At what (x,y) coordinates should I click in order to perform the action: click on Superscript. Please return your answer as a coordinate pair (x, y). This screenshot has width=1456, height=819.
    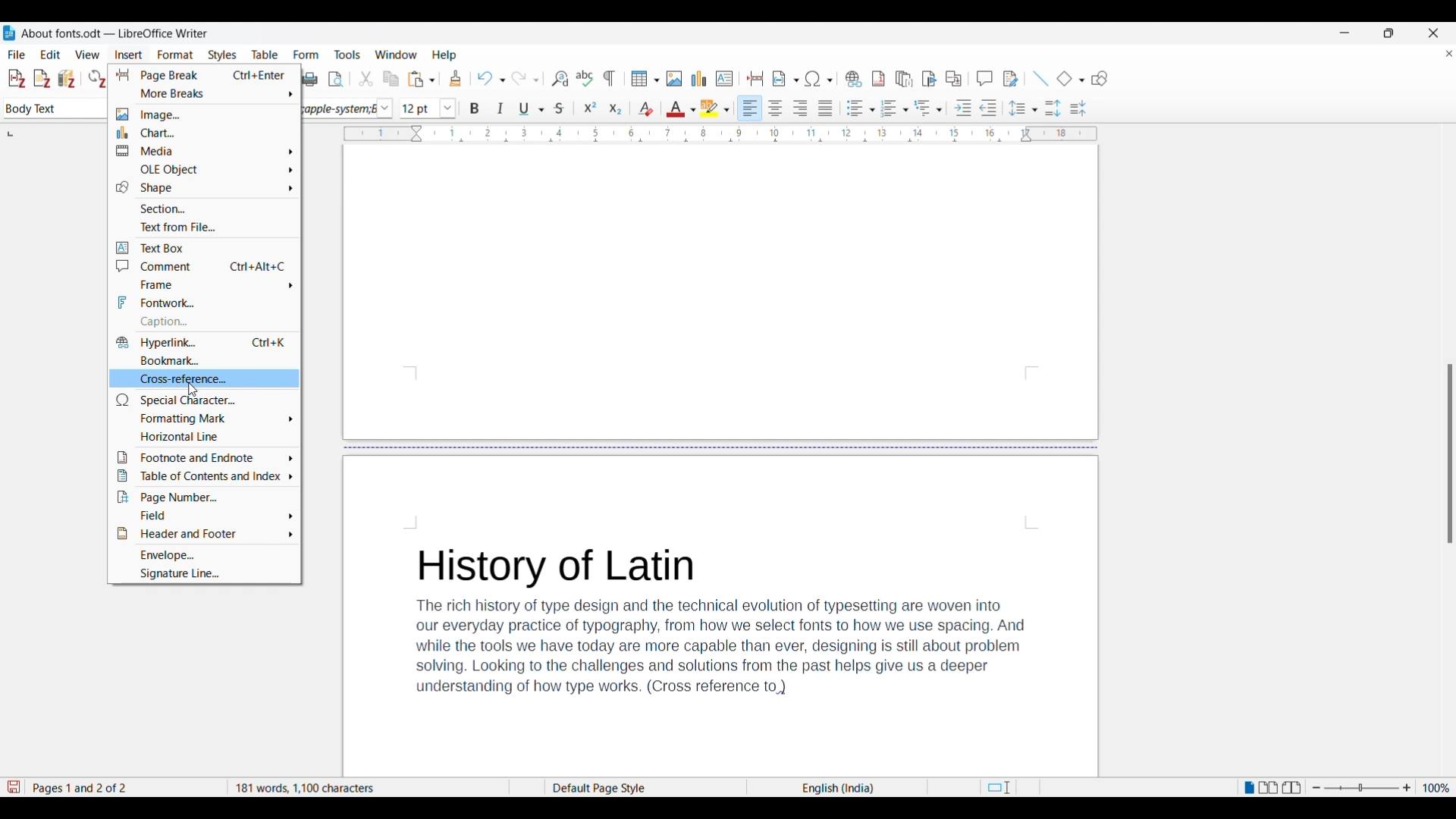
    Looking at the image, I should click on (591, 108).